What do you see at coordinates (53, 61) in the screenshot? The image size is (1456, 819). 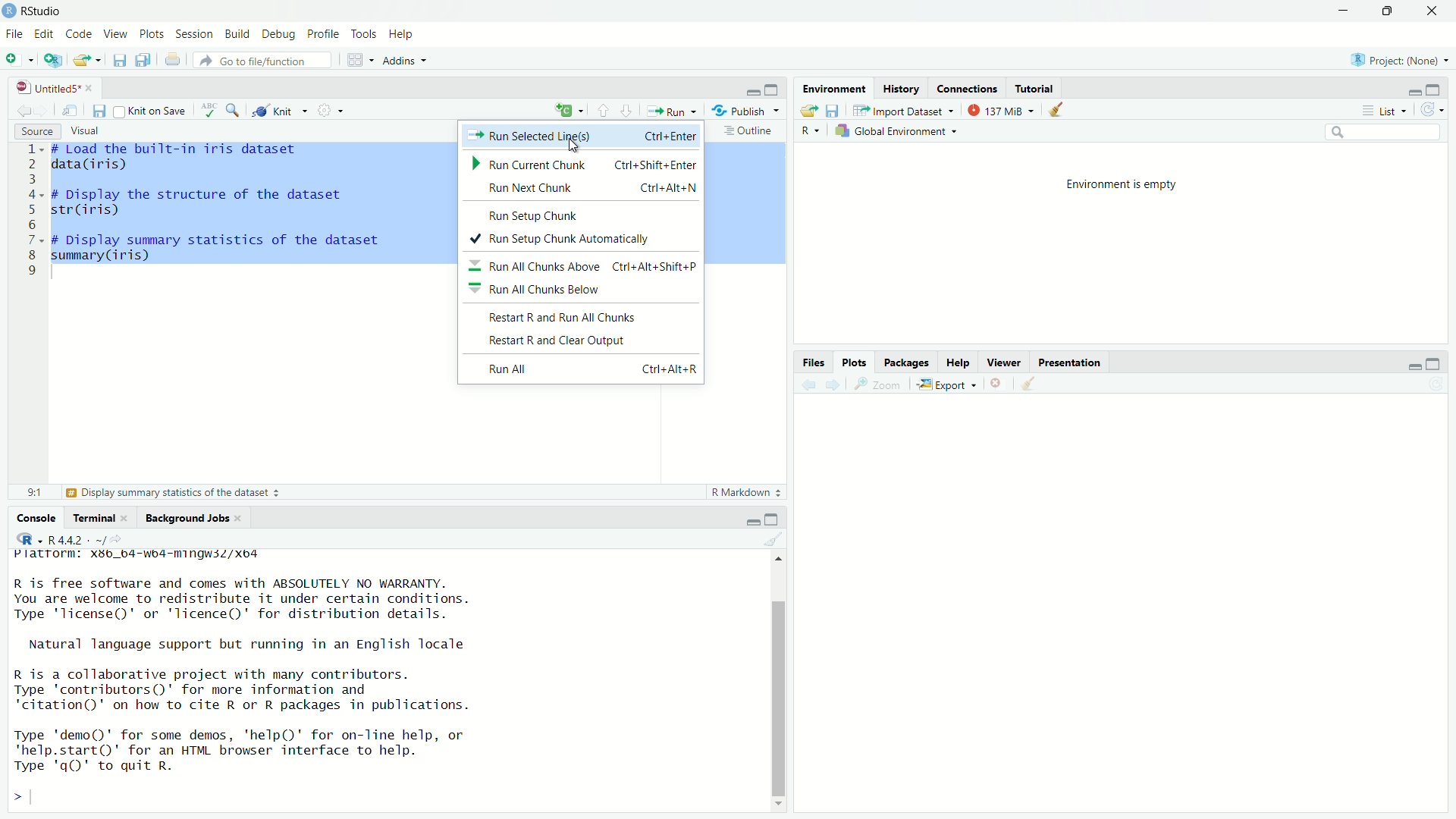 I see `Create new project` at bounding box center [53, 61].